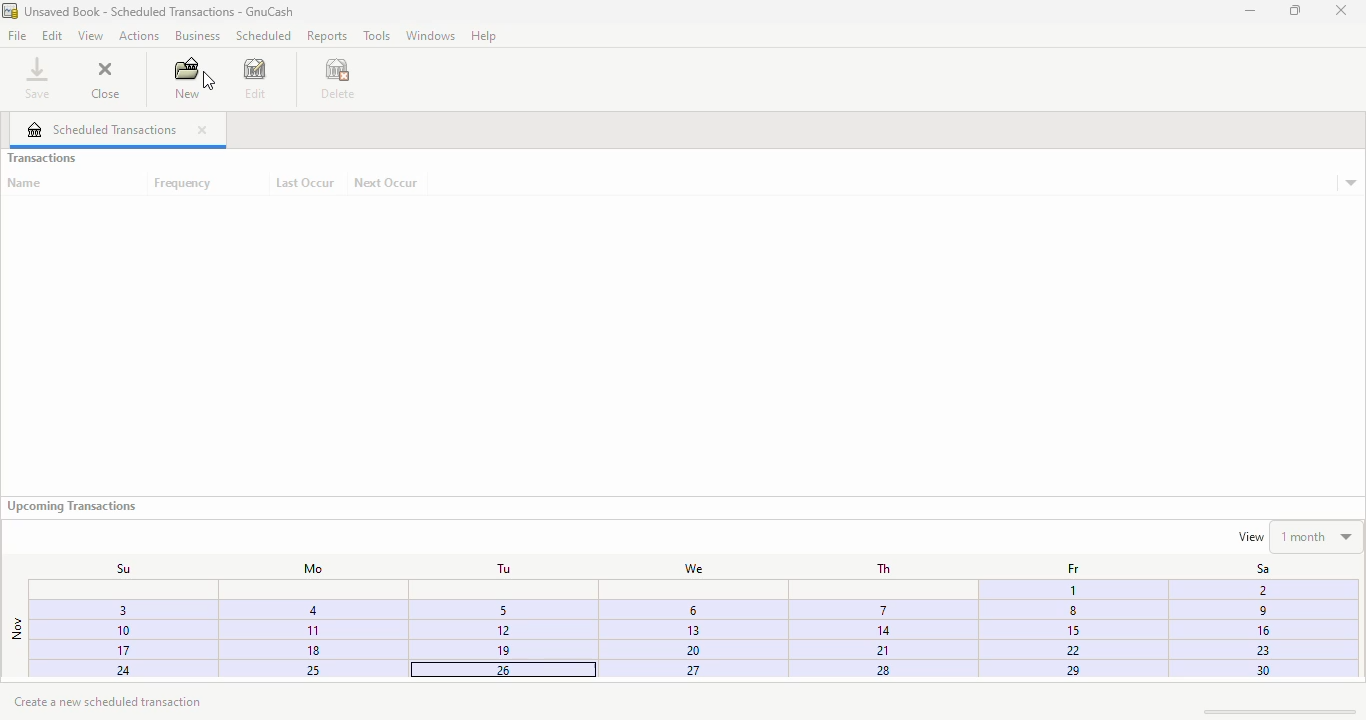  I want to click on 3, so click(111, 613).